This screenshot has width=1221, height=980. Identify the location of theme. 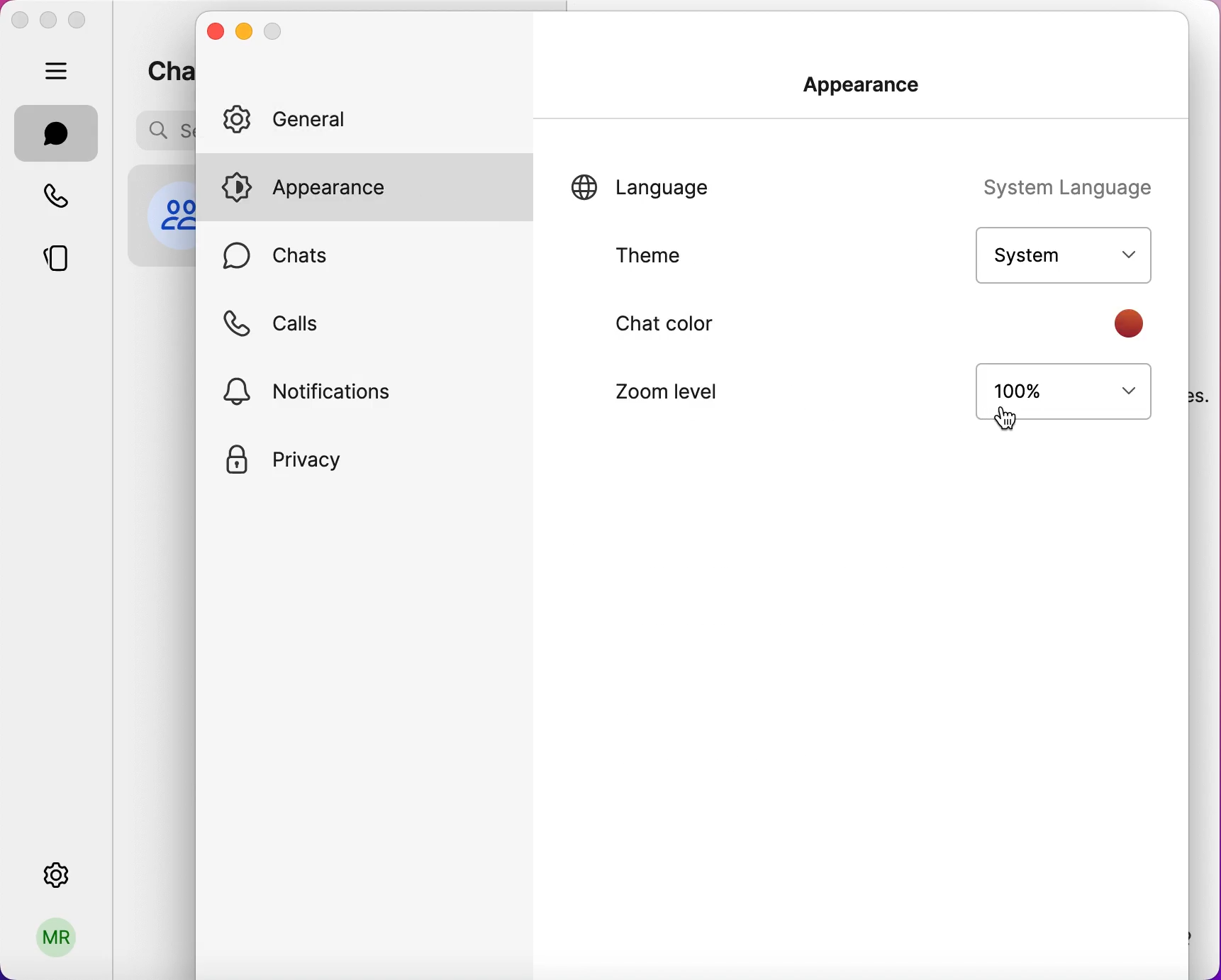
(677, 257).